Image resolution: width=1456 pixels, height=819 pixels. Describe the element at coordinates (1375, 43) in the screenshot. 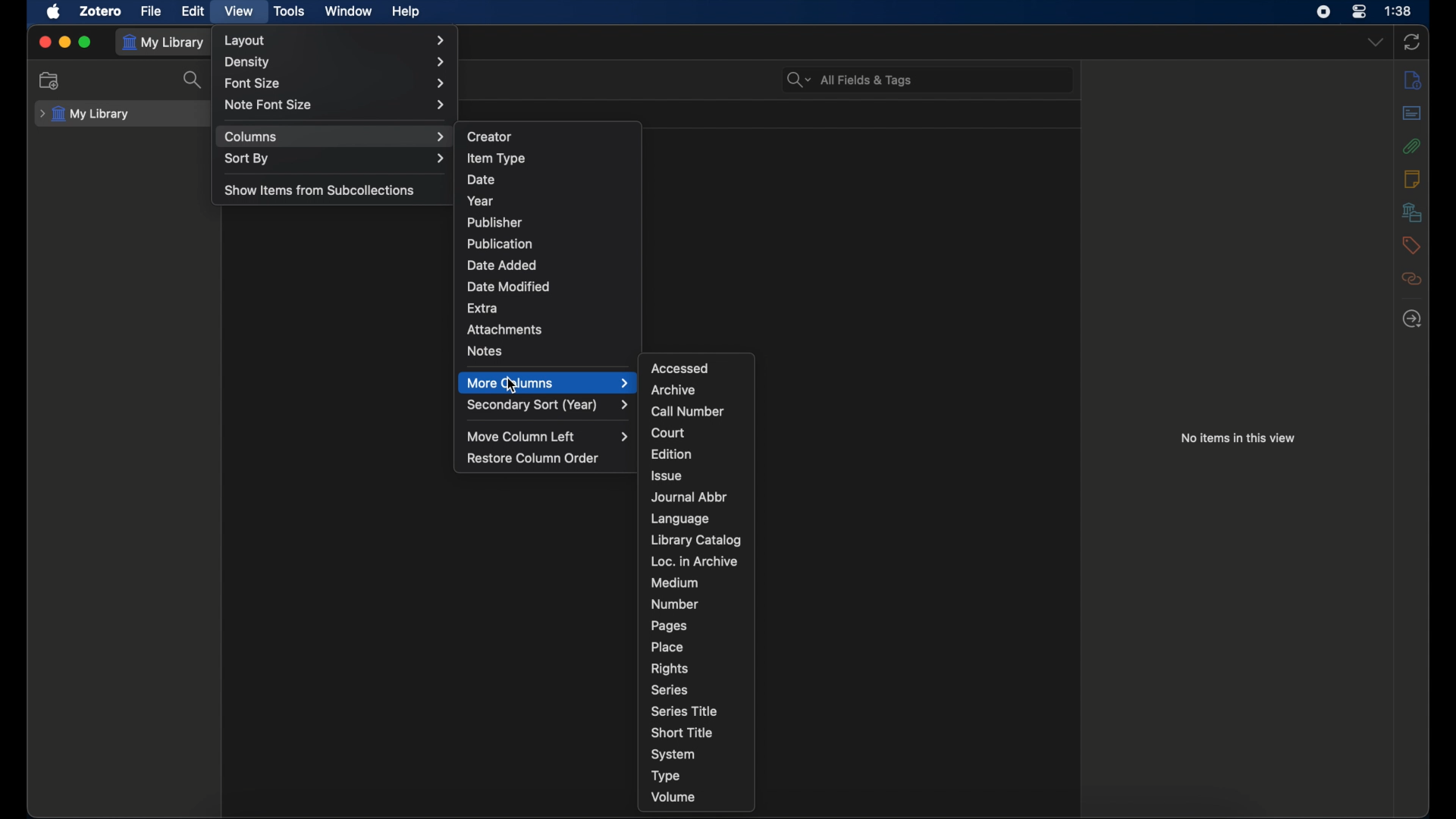

I see `dropdown` at that location.